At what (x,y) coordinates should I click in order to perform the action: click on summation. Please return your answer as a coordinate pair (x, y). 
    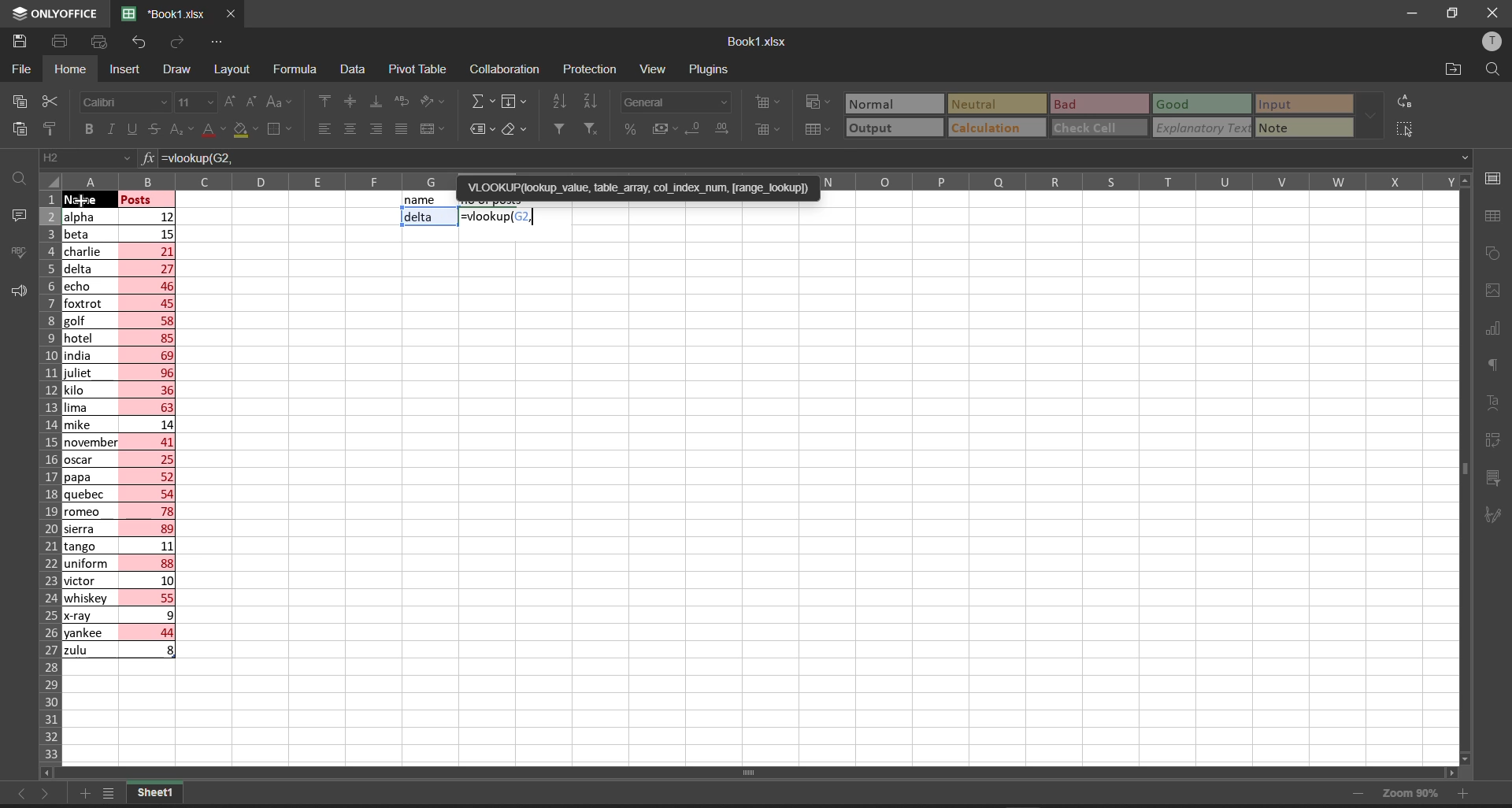
    Looking at the image, I should click on (480, 102).